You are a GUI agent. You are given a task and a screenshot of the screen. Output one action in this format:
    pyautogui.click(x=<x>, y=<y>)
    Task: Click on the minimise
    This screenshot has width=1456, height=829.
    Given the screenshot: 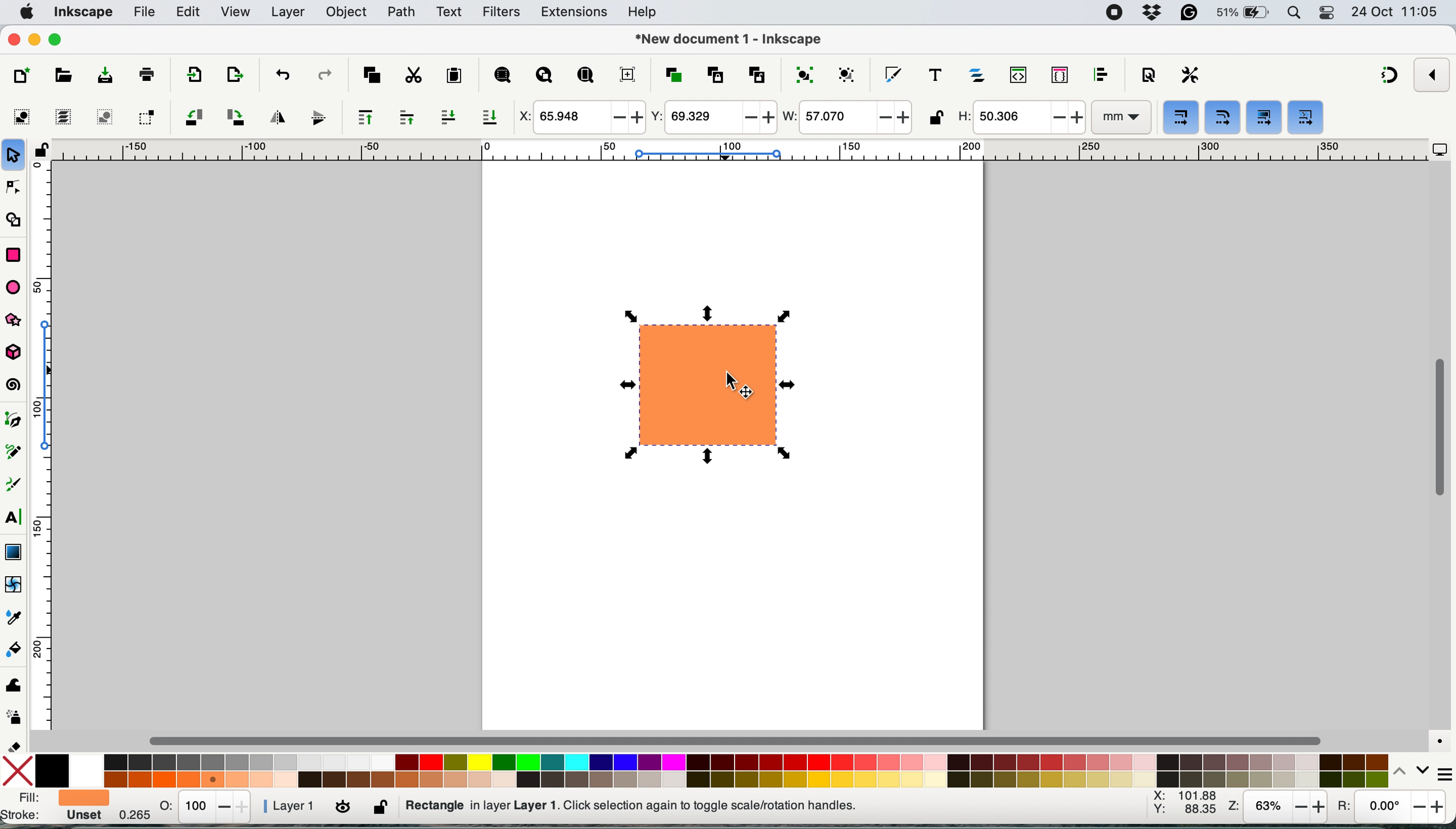 What is the action you would take?
    pyautogui.click(x=34, y=38)
    